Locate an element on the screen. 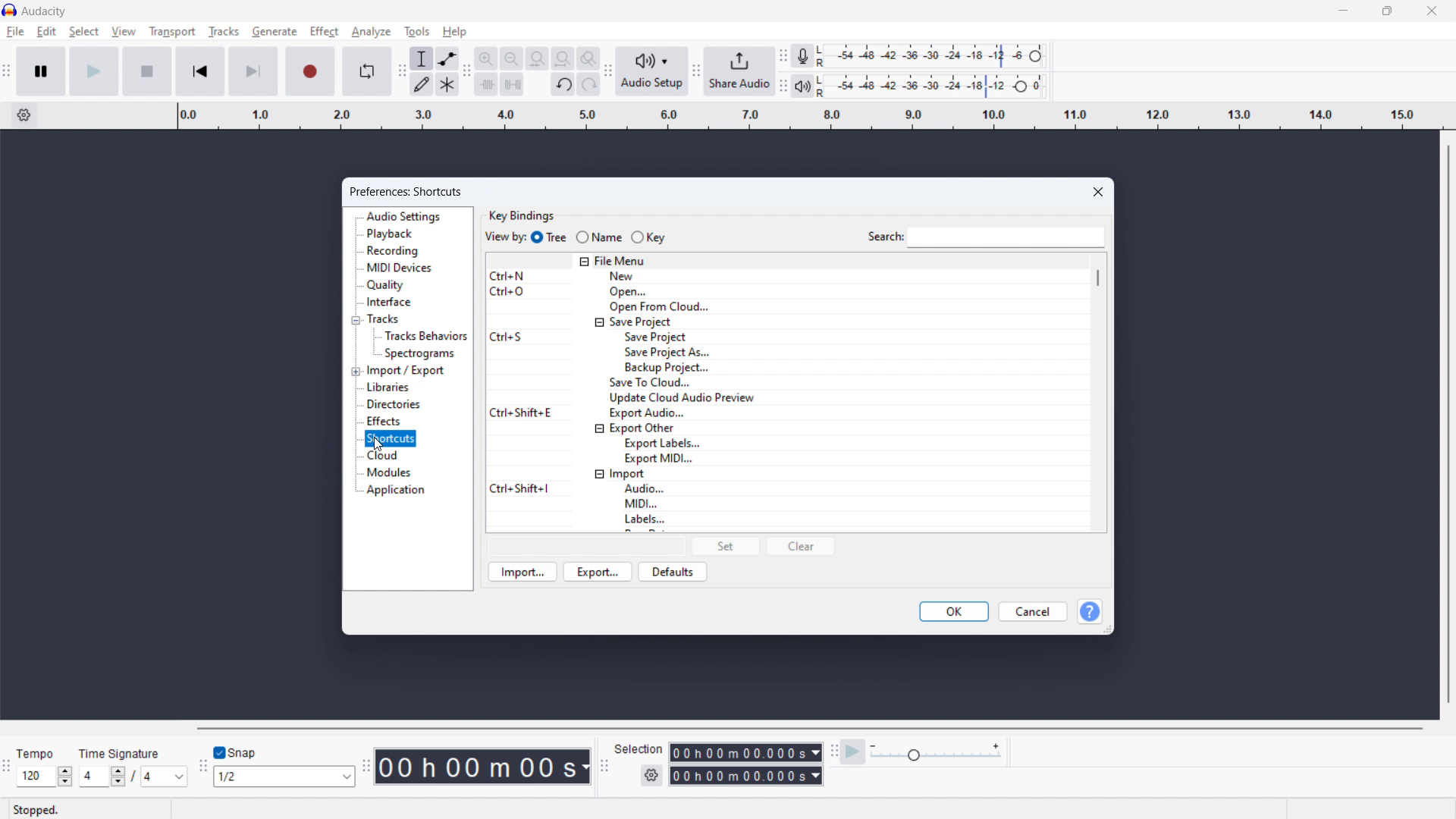 The height and width of the screenshot is (819, 1456). Cursor is located at coordinates (379, 444).